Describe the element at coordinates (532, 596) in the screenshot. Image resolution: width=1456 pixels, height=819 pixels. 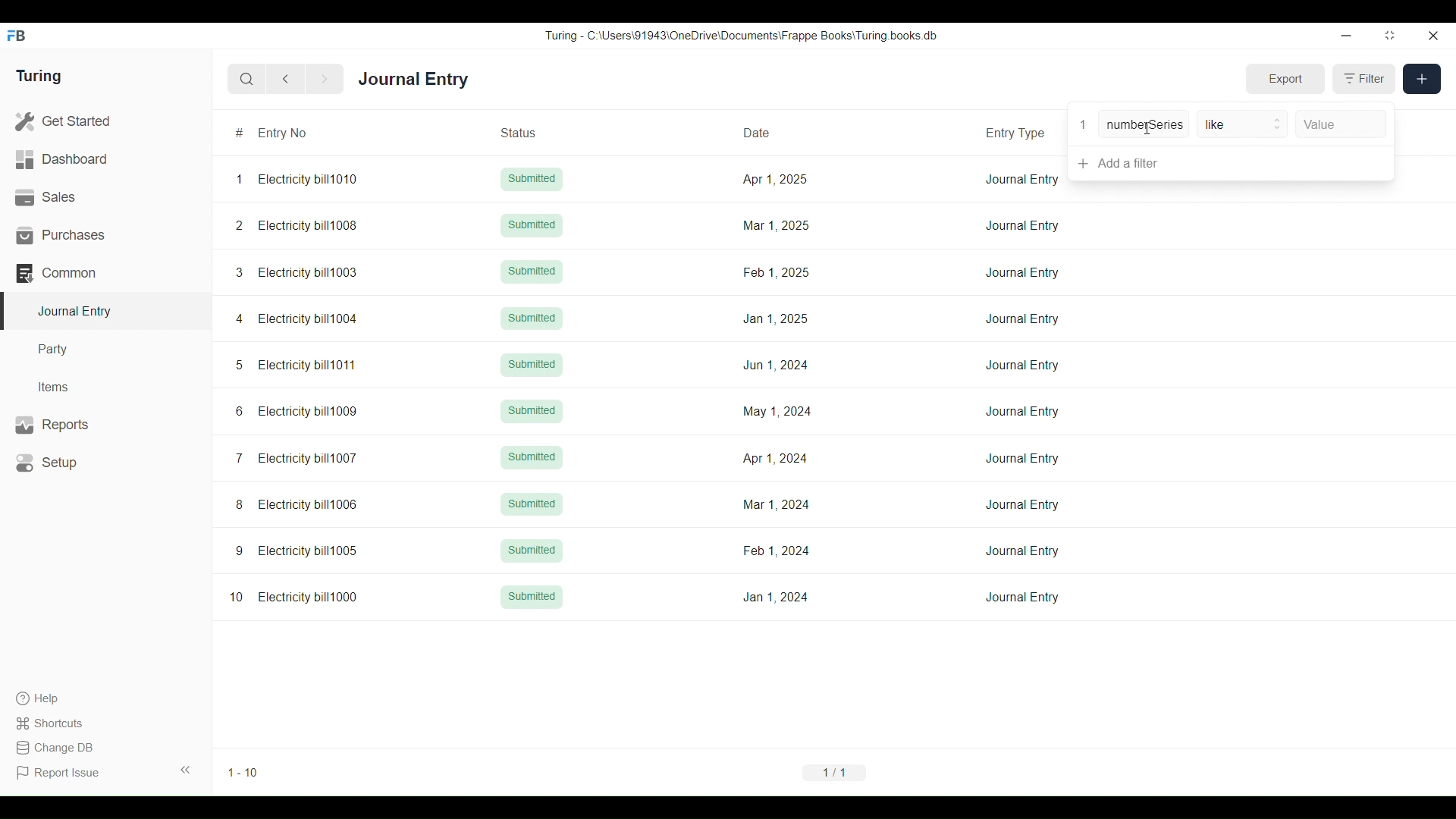
I see `Submitted` at that location.